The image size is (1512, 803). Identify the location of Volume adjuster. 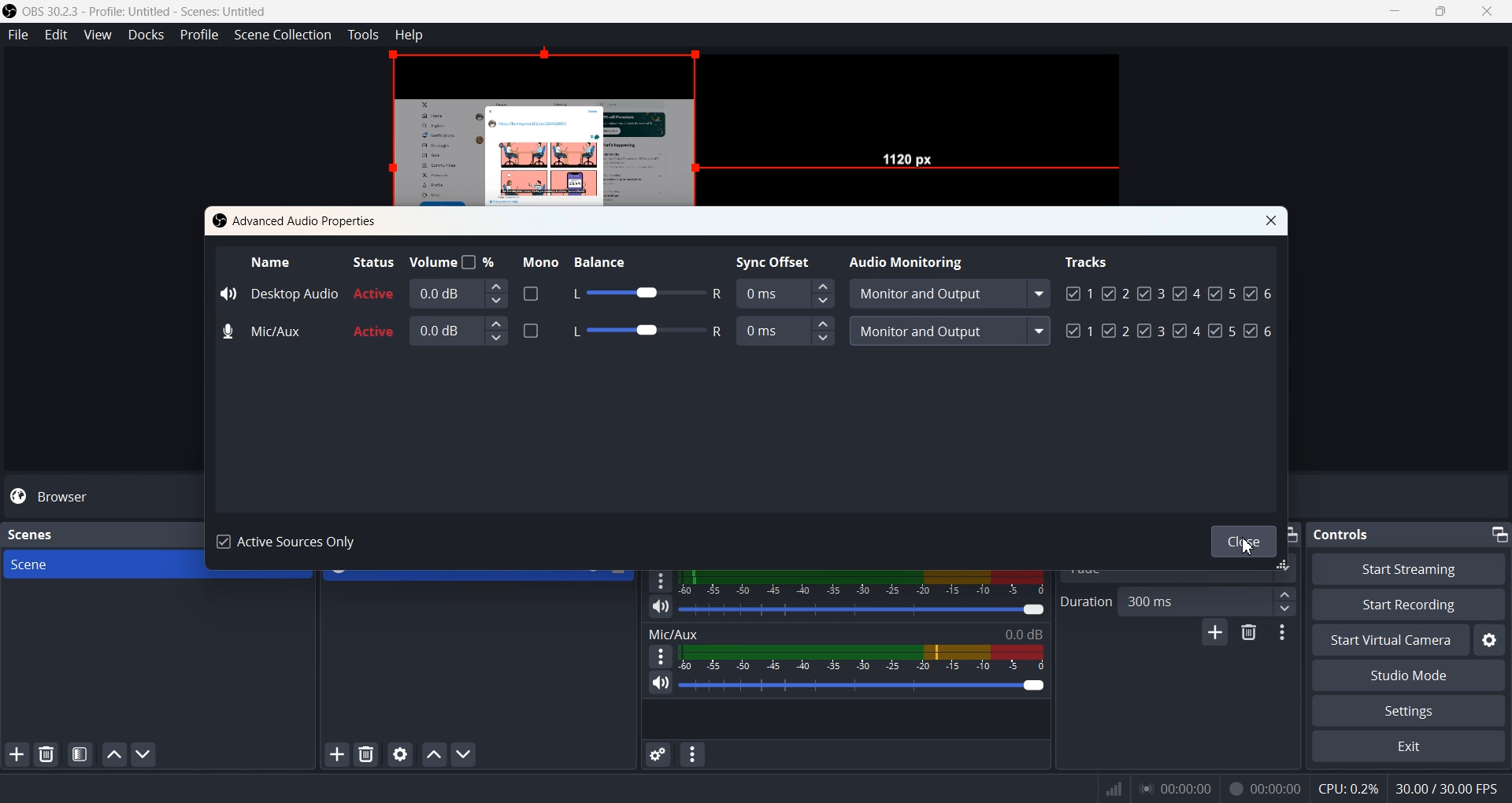
(865, 609).